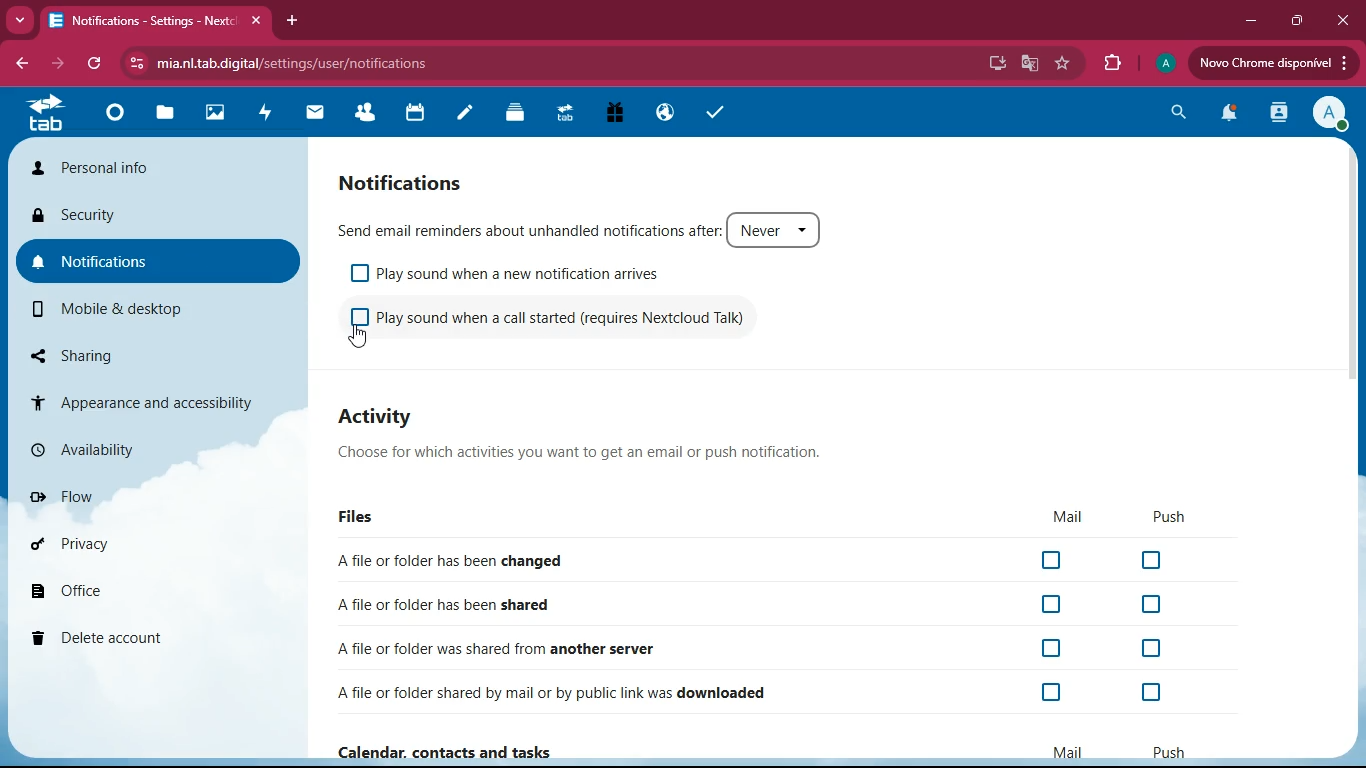  What do you see at coordinates (1066, 518) in the screenshot?
I see `mail` at bounding box center [1066, 518].